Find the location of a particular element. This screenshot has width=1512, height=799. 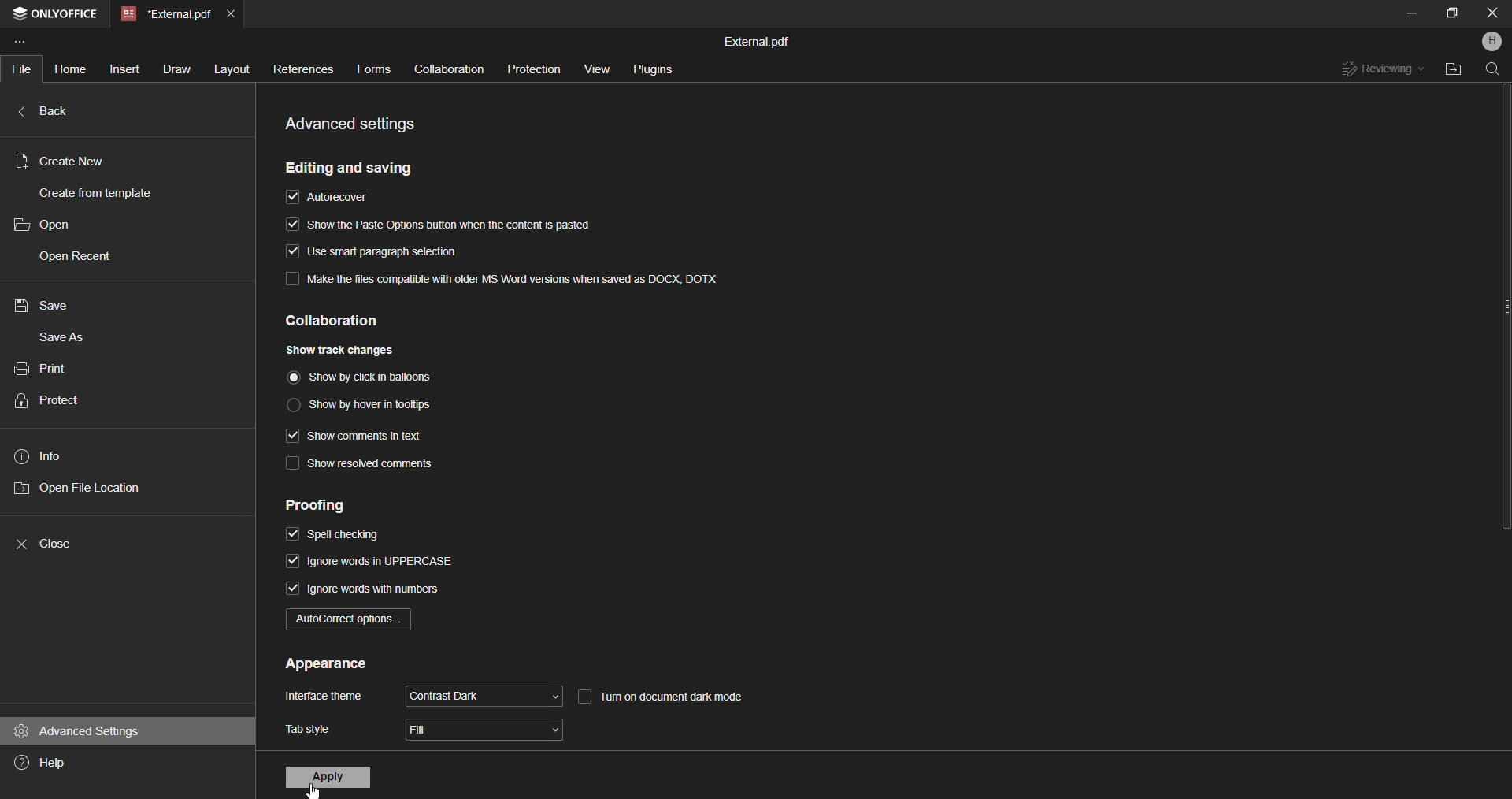

help is located at coordinates (54, 761).